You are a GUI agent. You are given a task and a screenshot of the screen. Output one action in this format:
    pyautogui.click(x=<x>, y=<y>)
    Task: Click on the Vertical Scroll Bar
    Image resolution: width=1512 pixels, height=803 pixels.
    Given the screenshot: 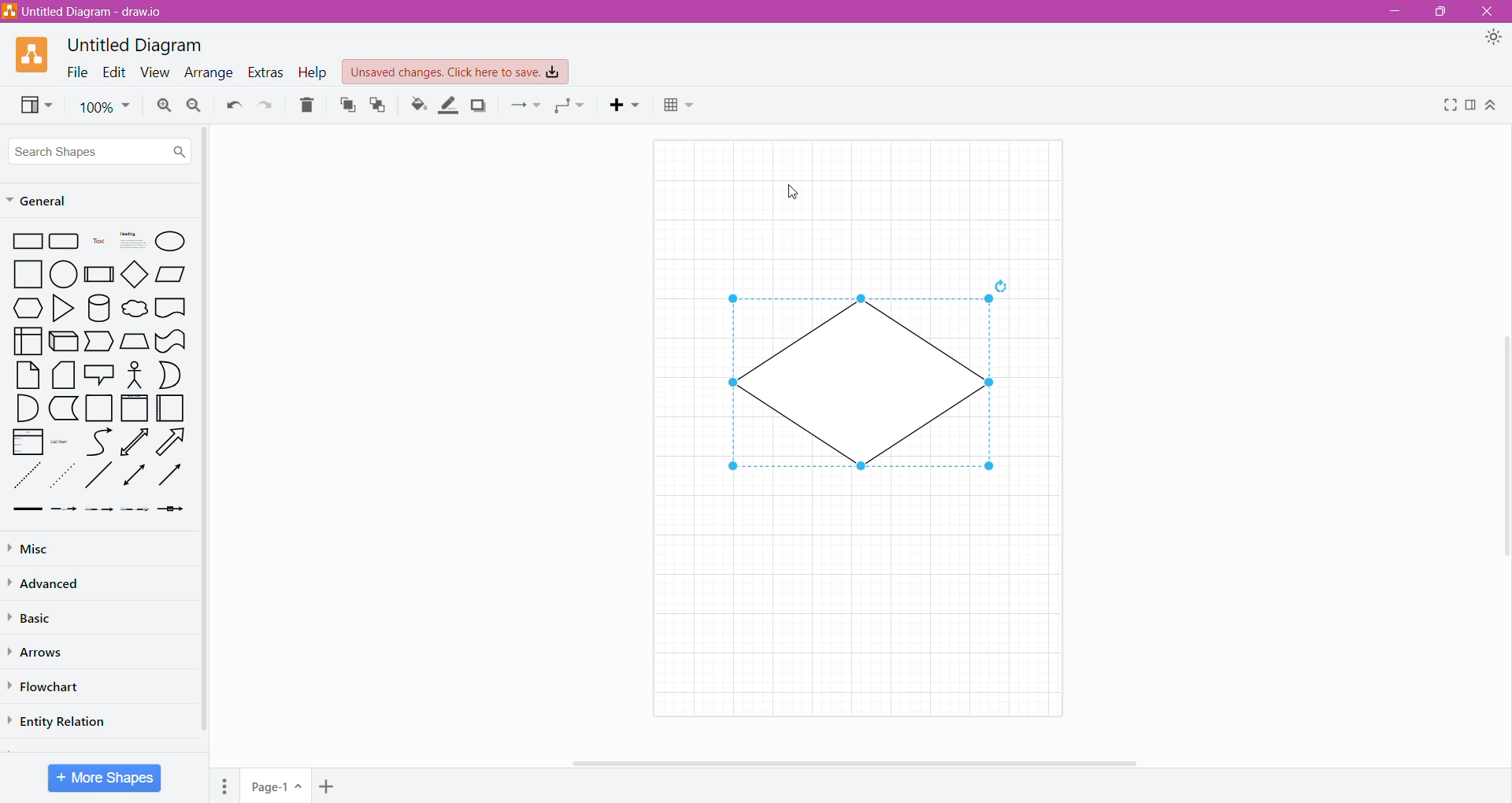 What is the action you would take?
    pyautogui.click(x=1502, y=439)
    